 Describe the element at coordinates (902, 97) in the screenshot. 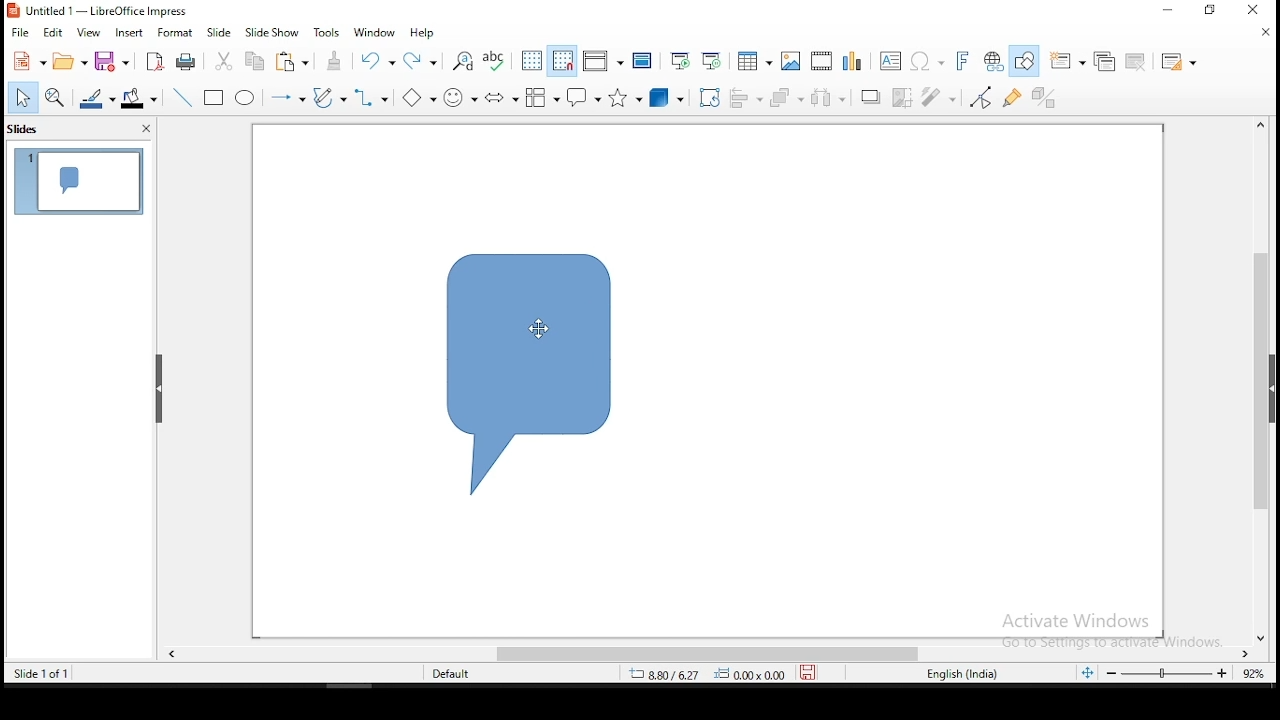

I see `crop image` at that location.